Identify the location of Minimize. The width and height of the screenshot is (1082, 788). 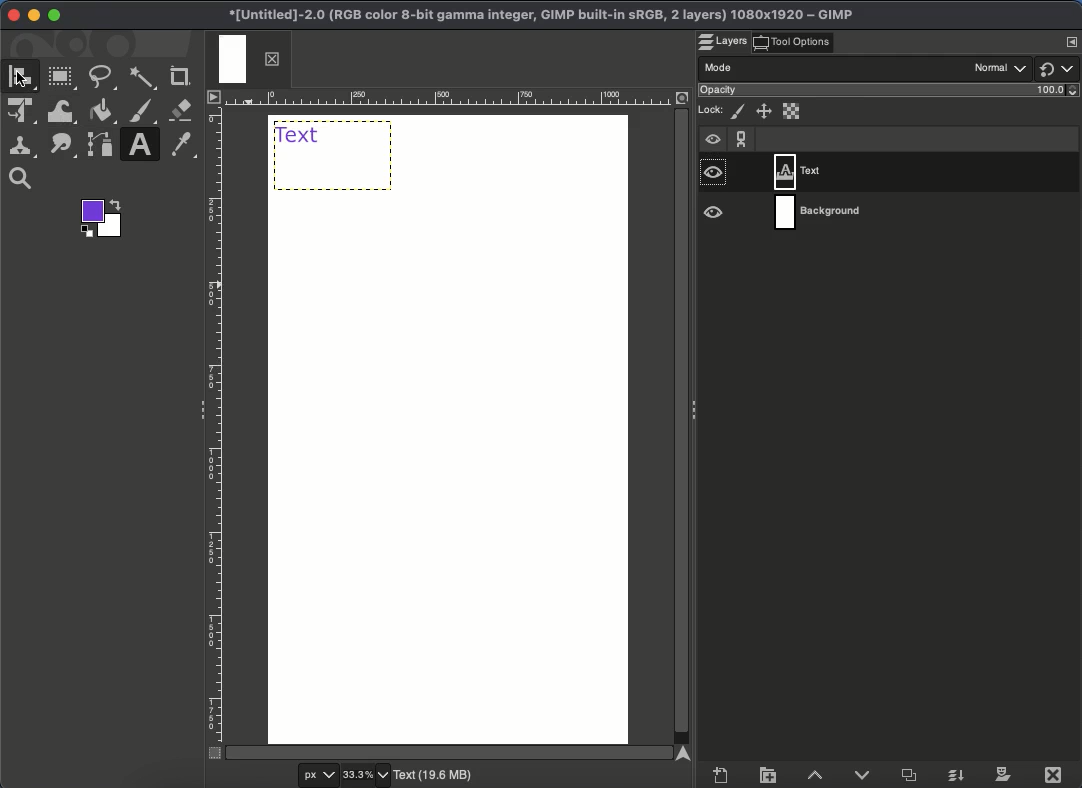
(34, 16).